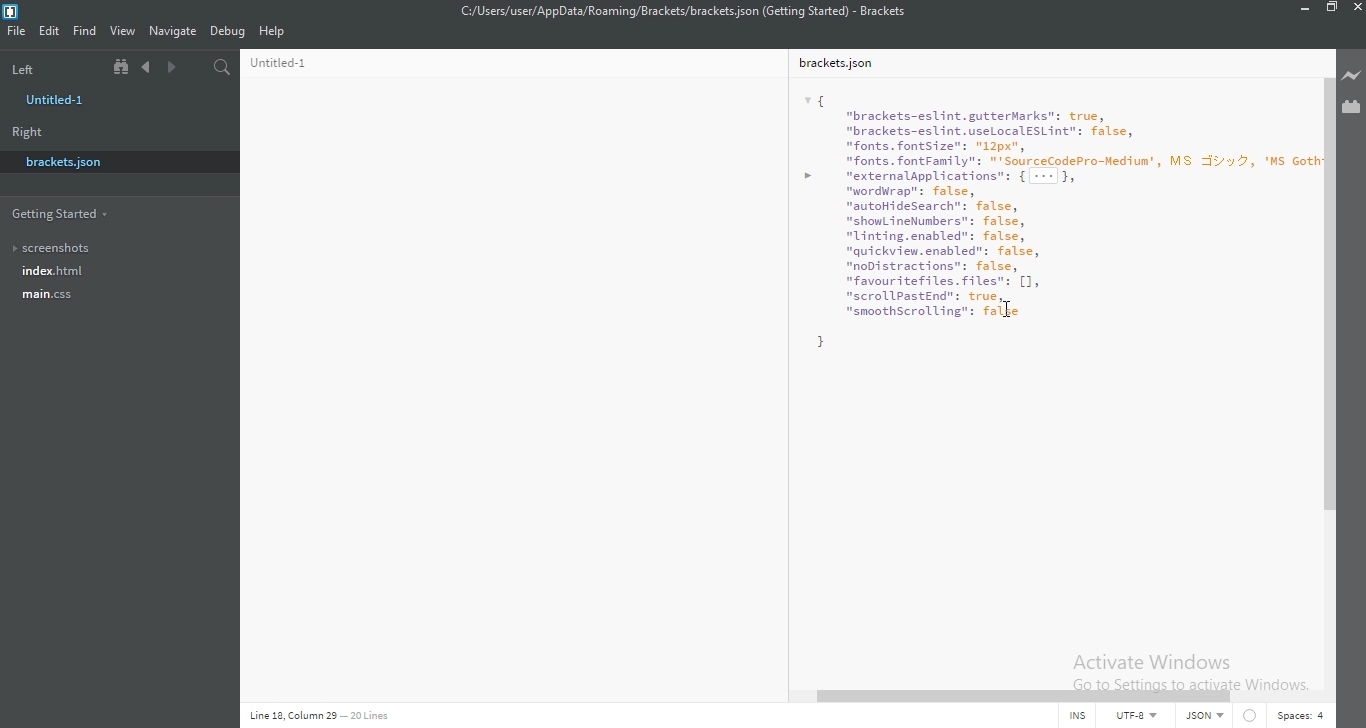 This screenshot has height=728, width=1366. Describe the element at coordinates (59, 100) in the screenshot. I see `untitled` at that location.